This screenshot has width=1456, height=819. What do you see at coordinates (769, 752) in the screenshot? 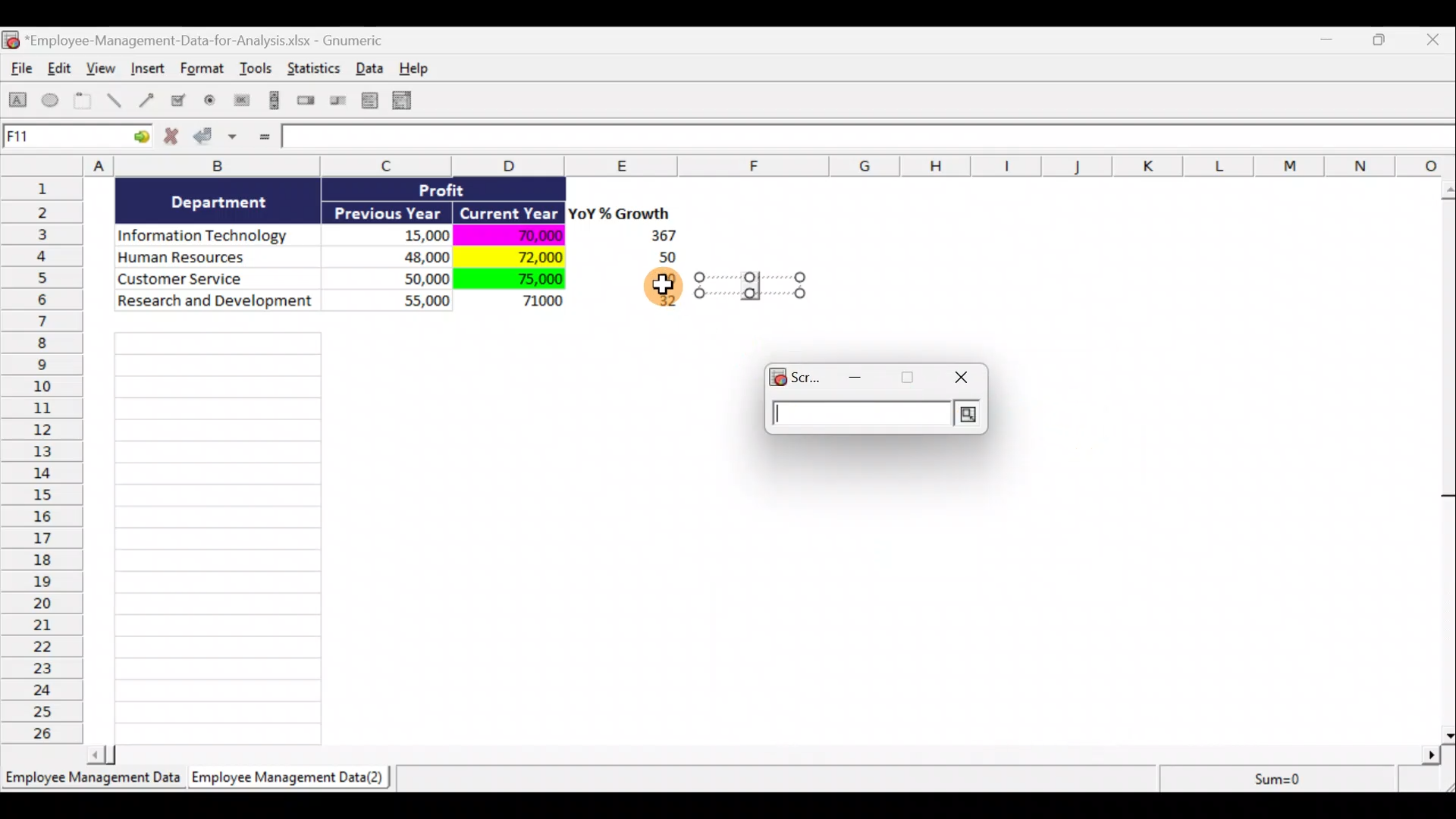
I see `Scroll bar` at bounding box center [769, 752].